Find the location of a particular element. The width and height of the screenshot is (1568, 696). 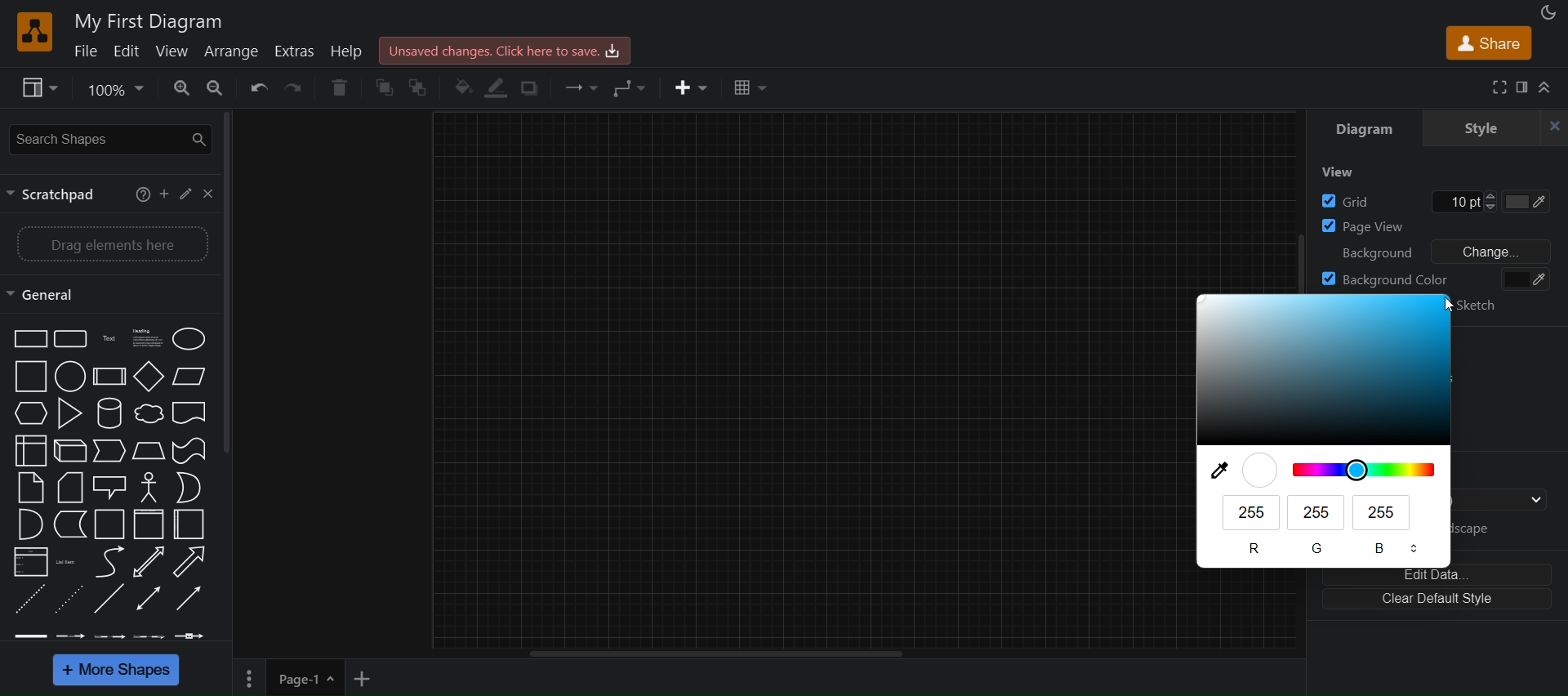

background is located at coordinates (1372, 250).